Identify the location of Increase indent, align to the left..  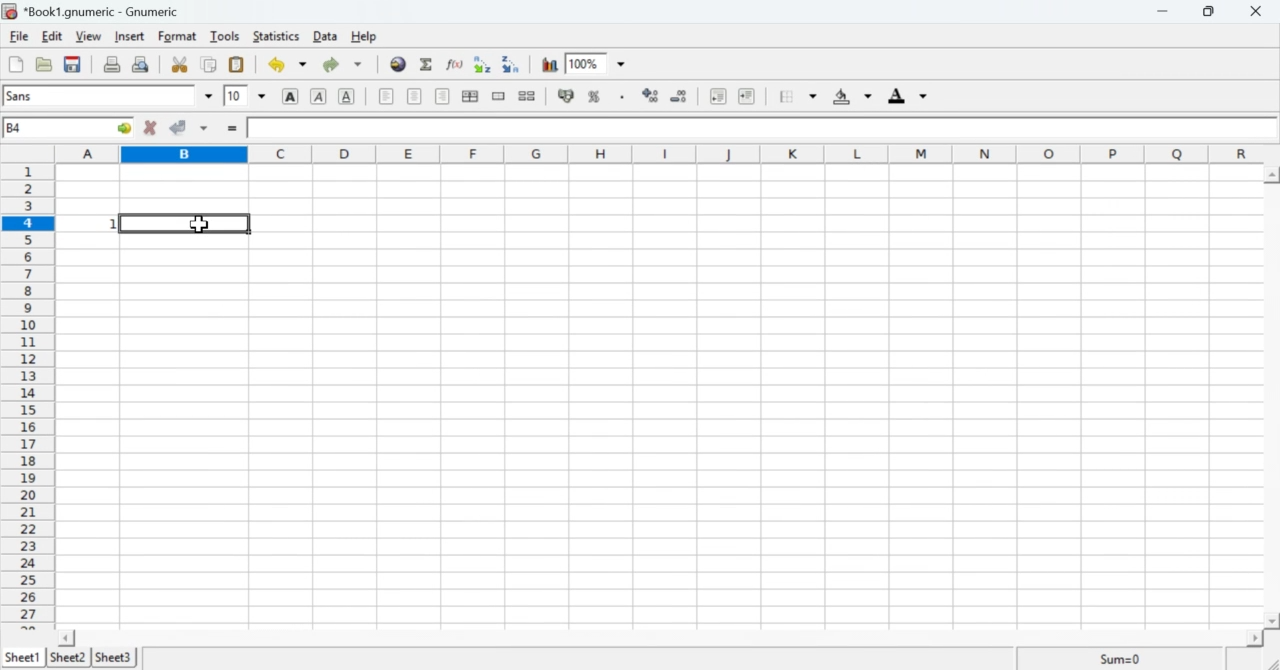
(747, 97).